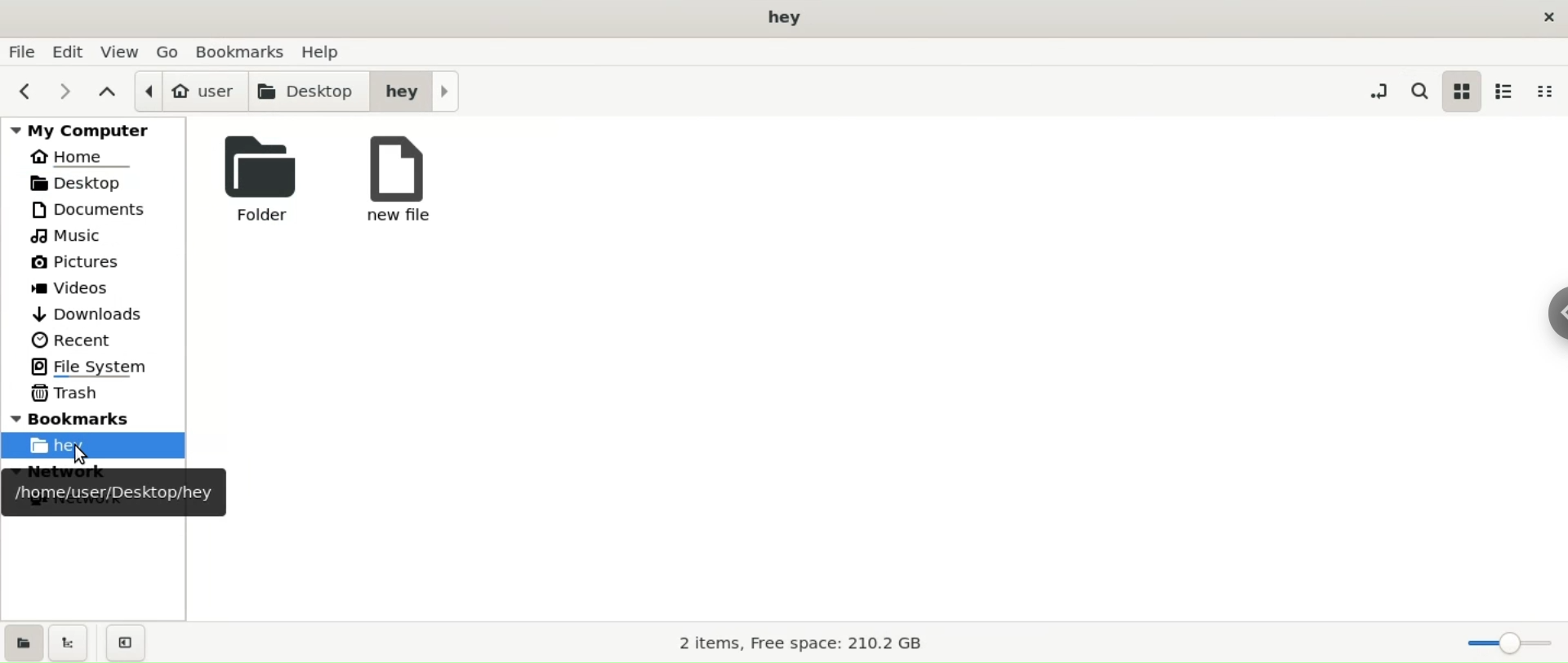 The image size is (1568, 663). What do you see at coordinates (96, 416) in the screenshot?
I see `bookmarks` at bounding box center [96, 416].